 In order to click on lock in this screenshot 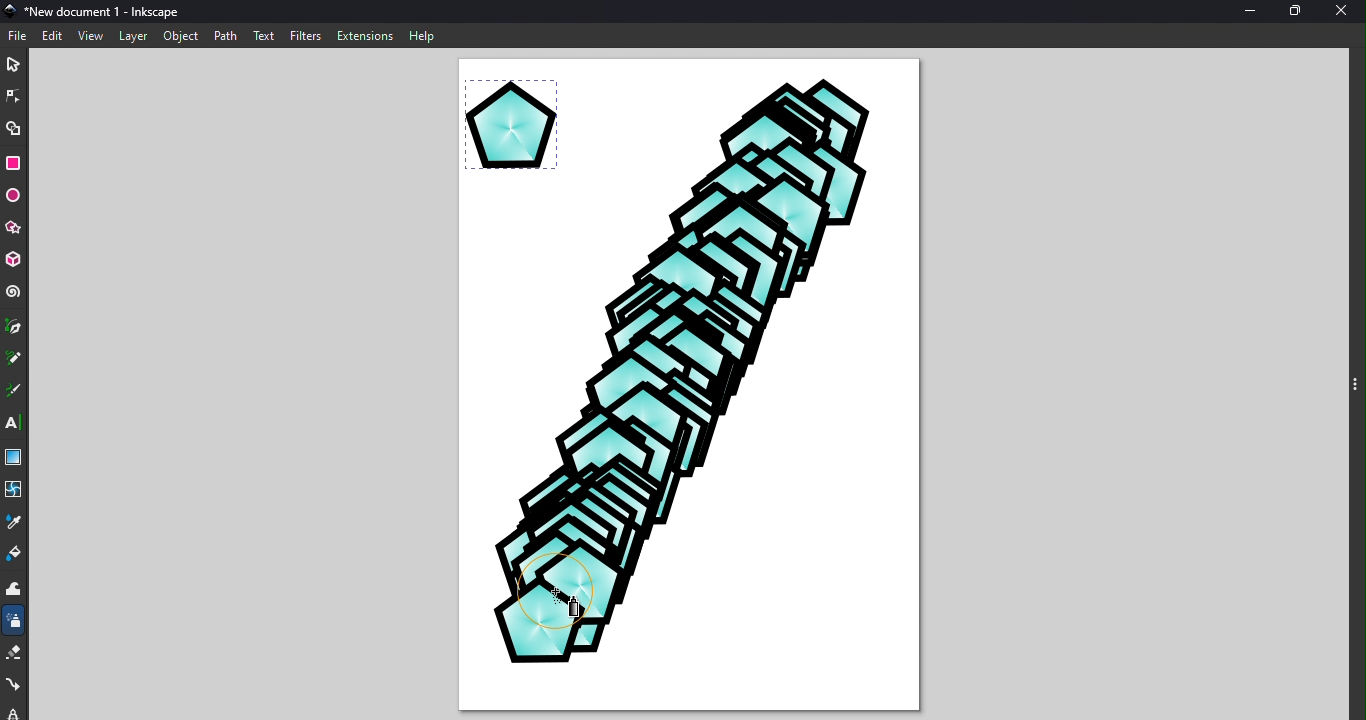, I will do `click(14, 710)`.